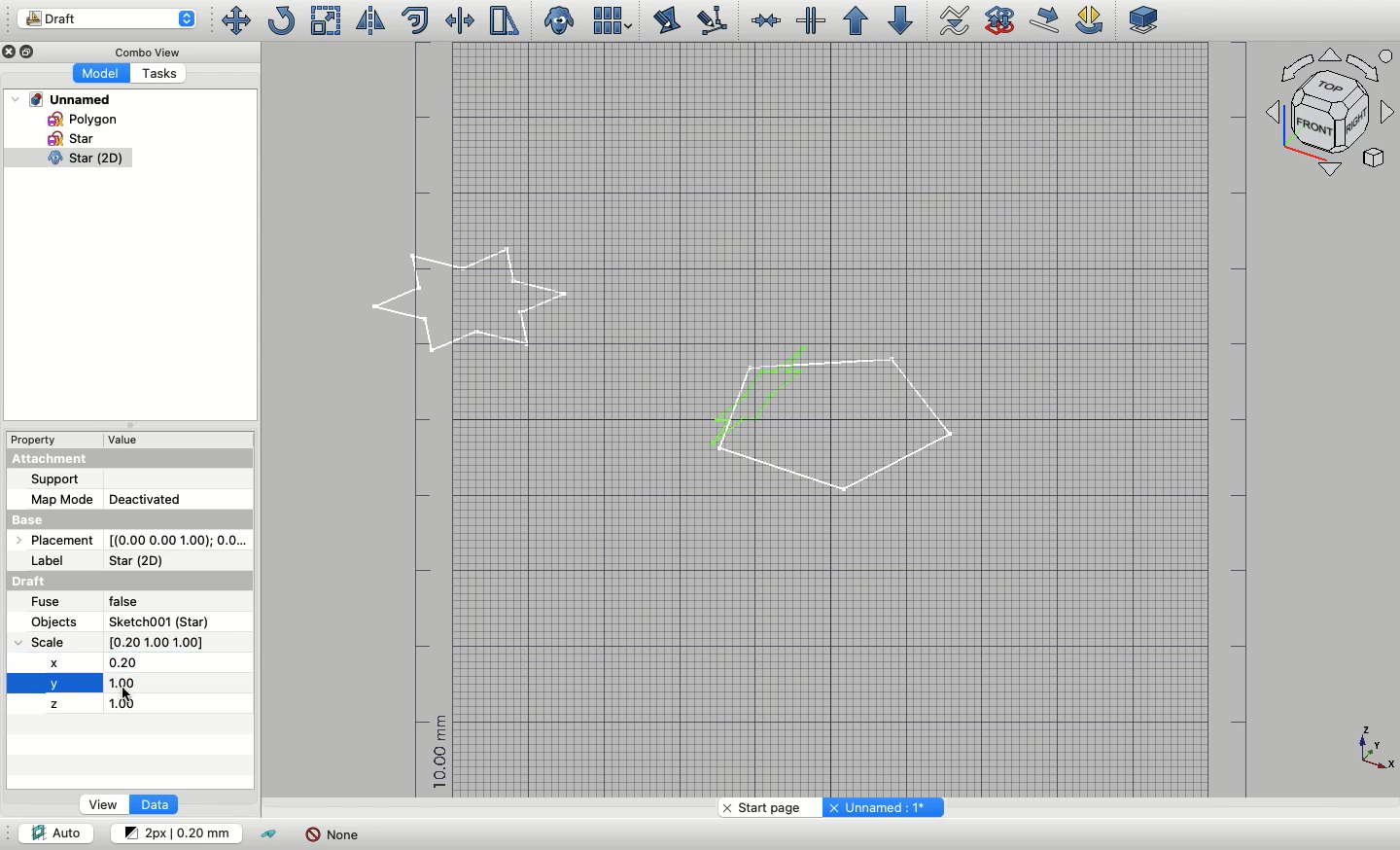 Image resolution: width=1400 pixels, height=850 pixels. What do you see at coordinates (144, 51) in the screenshot?
I see `Combo view` at bounding box center [144, 51].